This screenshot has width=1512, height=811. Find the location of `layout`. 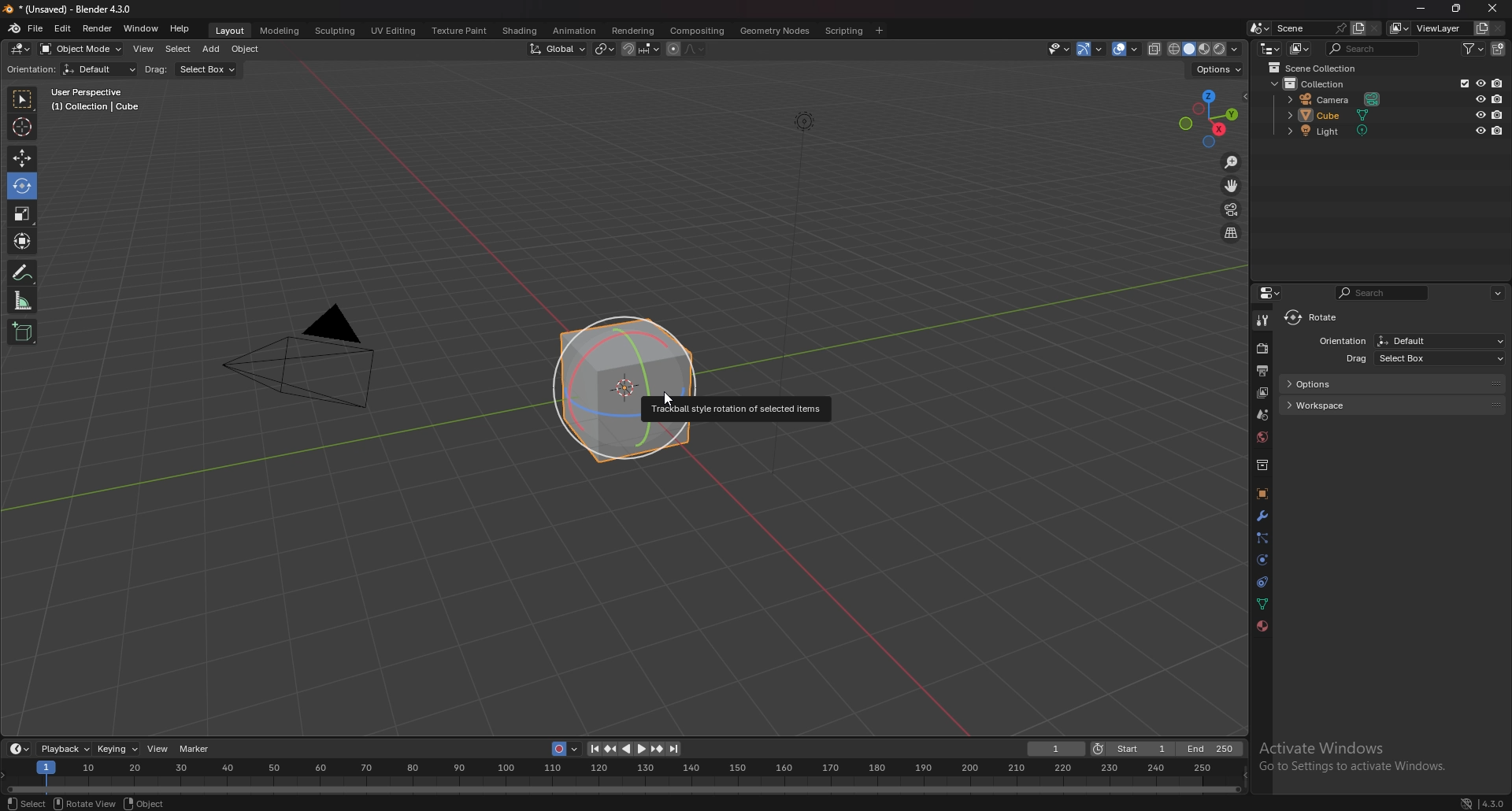

layout is located at coordinates (233, 32).